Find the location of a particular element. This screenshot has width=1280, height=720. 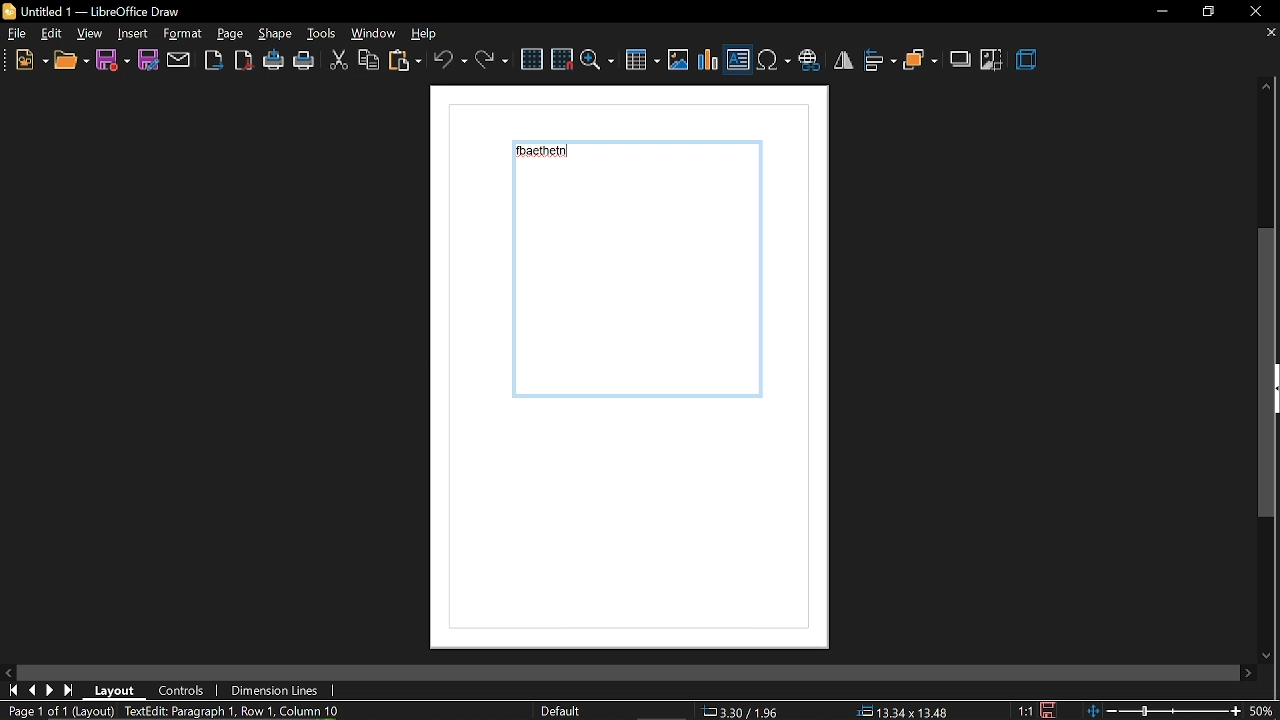

insert is located at coordinates (185, 34).